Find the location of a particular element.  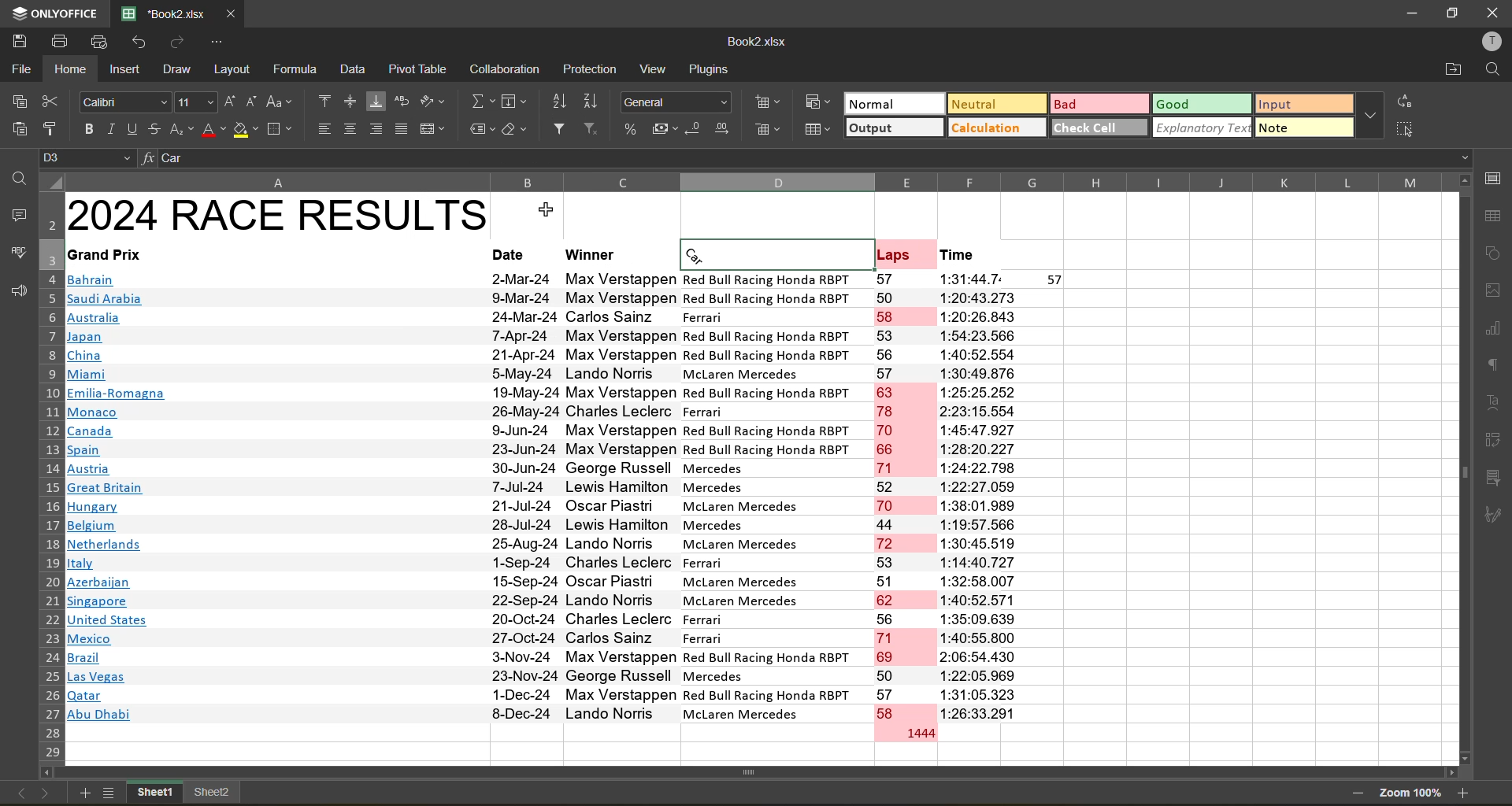

pivot table is located at coordinates (416, 71).